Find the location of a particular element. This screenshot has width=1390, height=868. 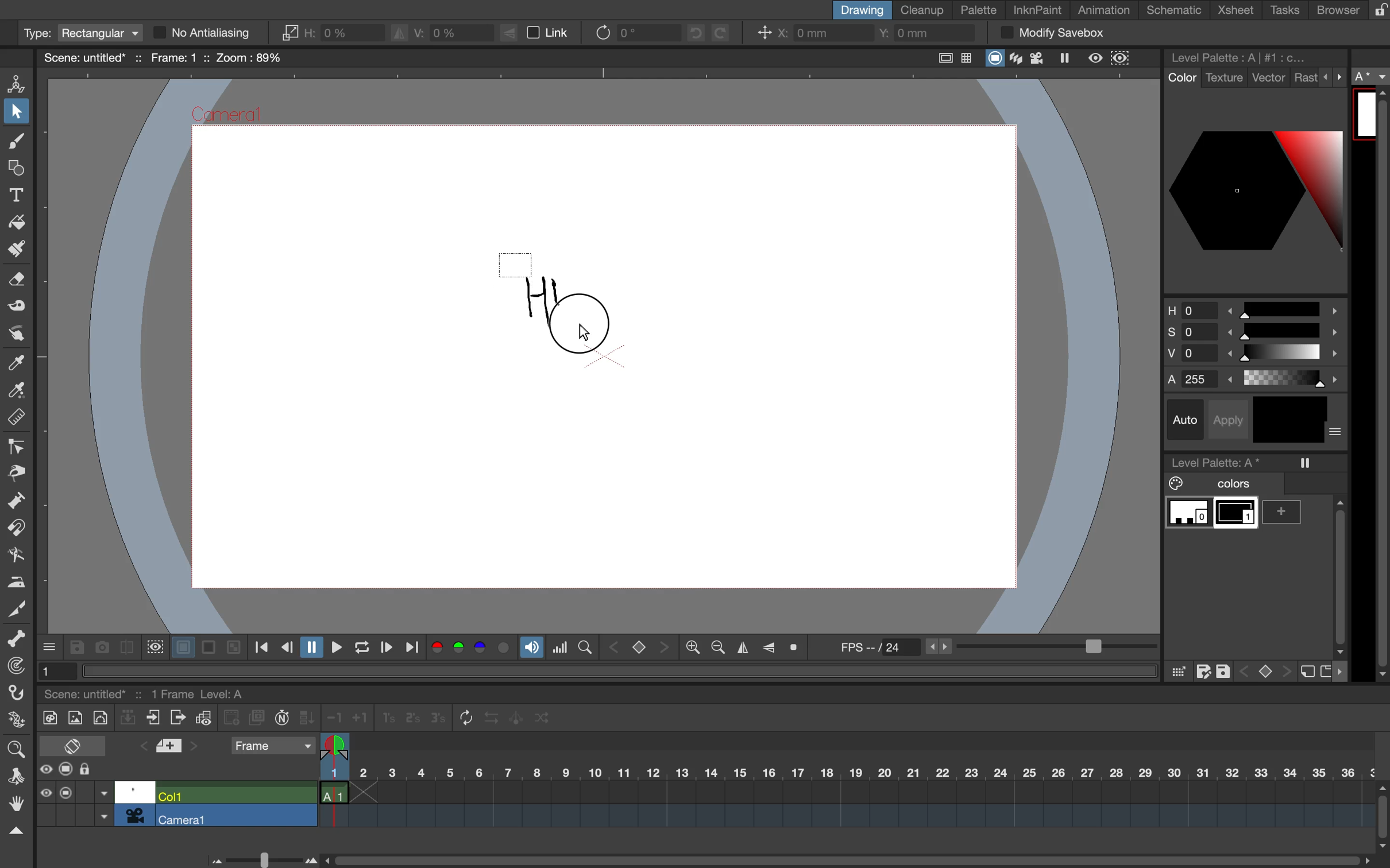

auto input cell number is located at coordinates (282, 720).